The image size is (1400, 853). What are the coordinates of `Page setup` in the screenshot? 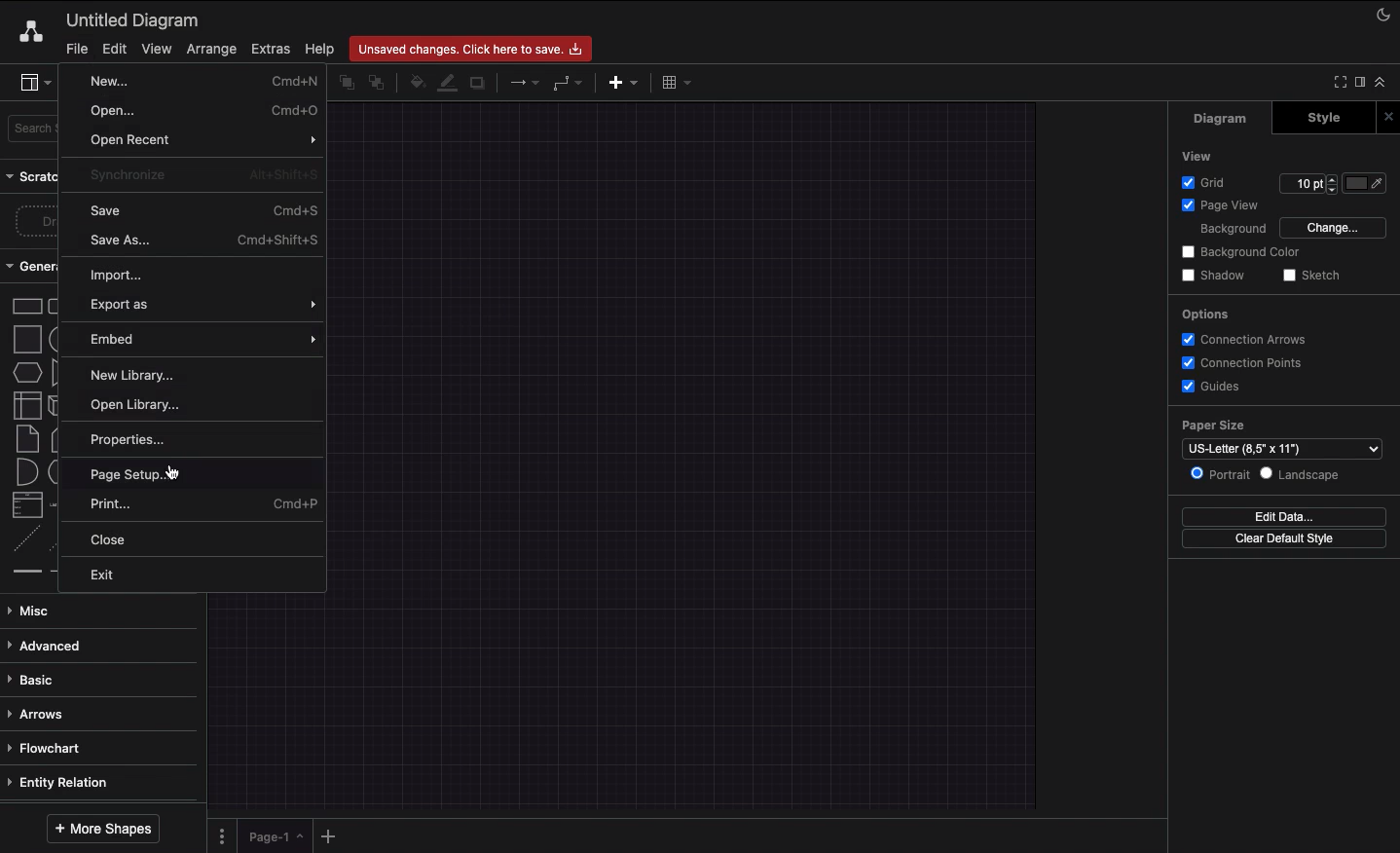 It's located at (135, 471).